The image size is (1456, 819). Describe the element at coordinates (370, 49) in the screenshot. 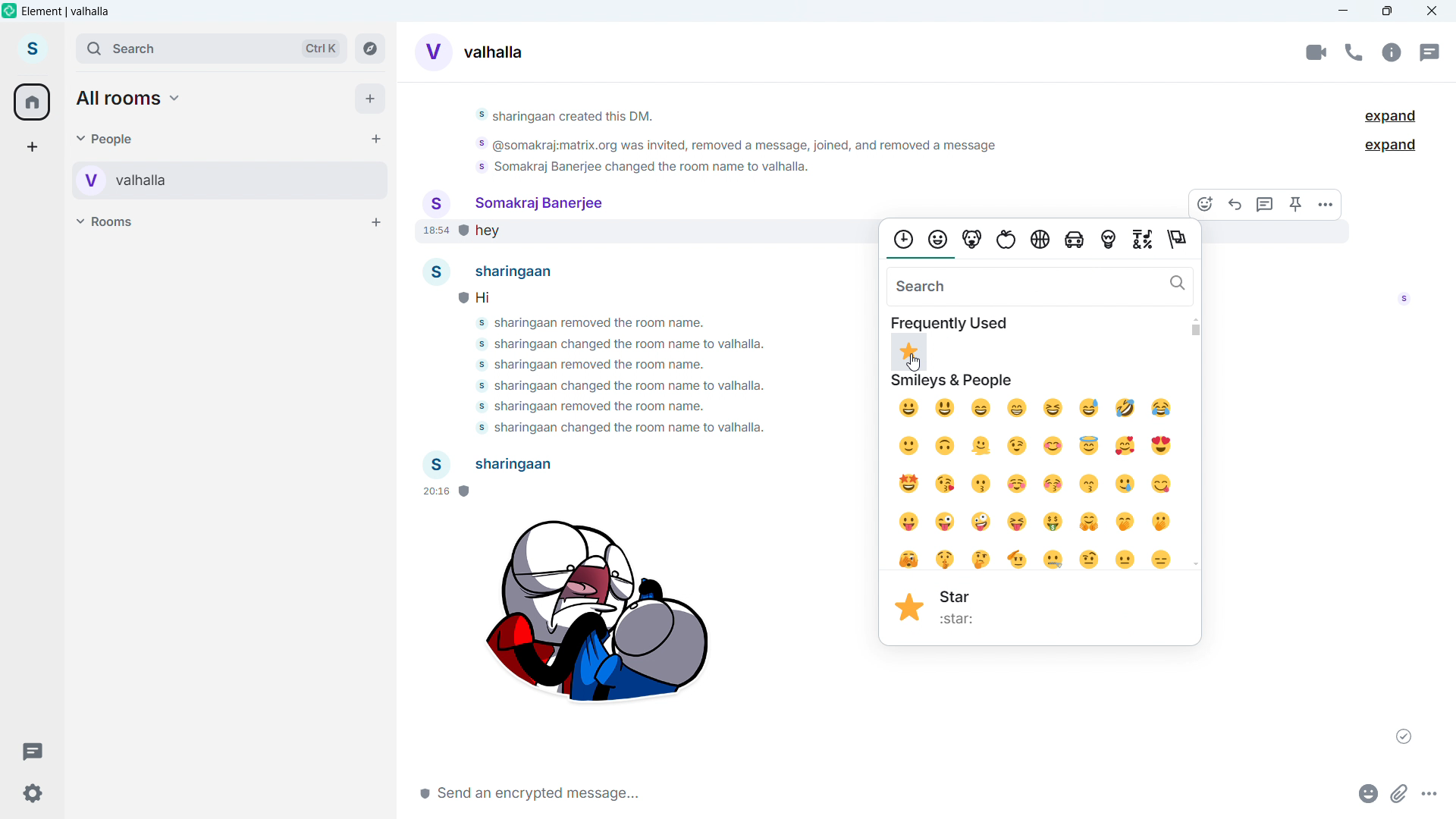

I see `Explore rooms ` at that location.